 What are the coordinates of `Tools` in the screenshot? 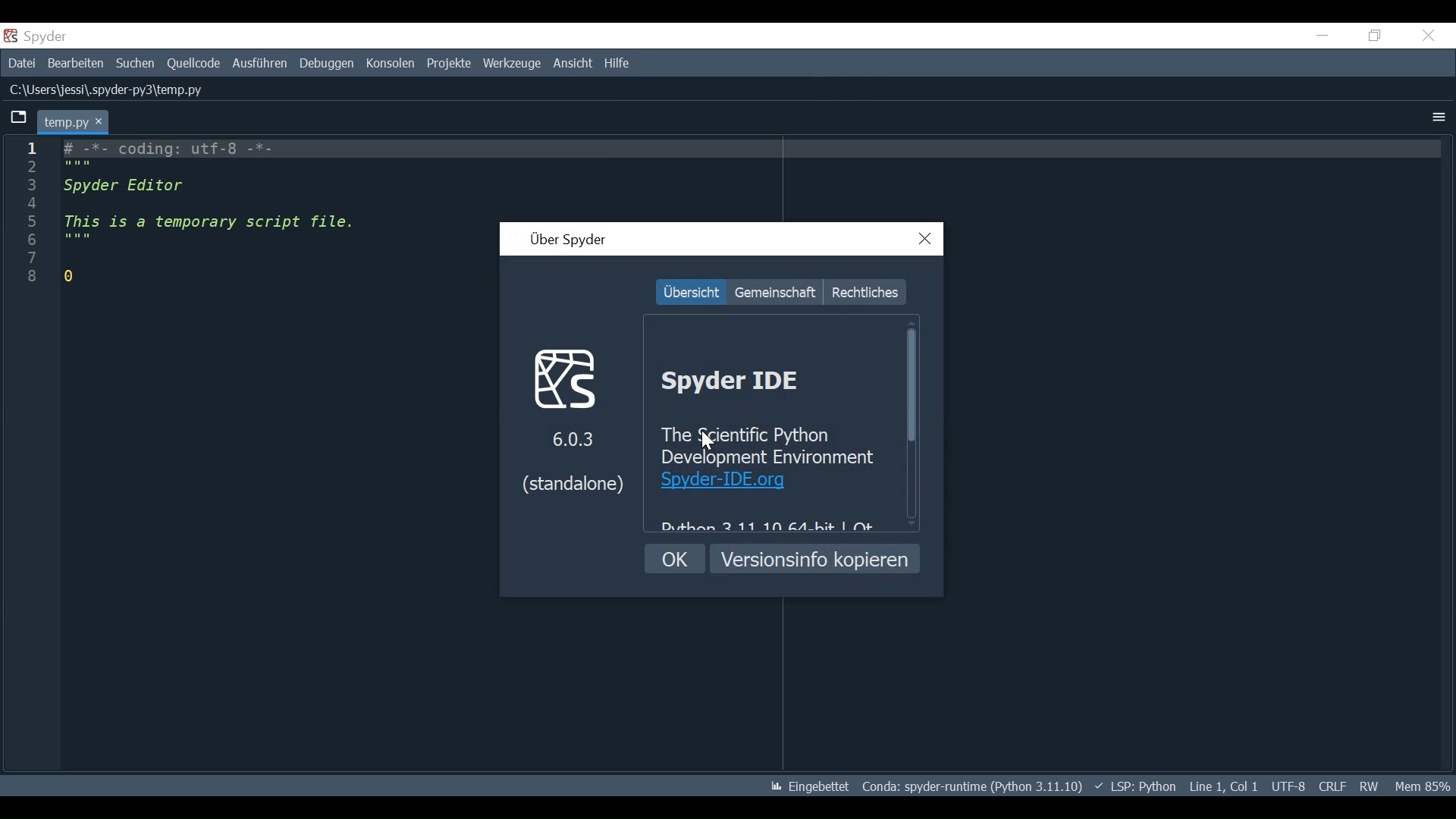 It's located at (511, 64).